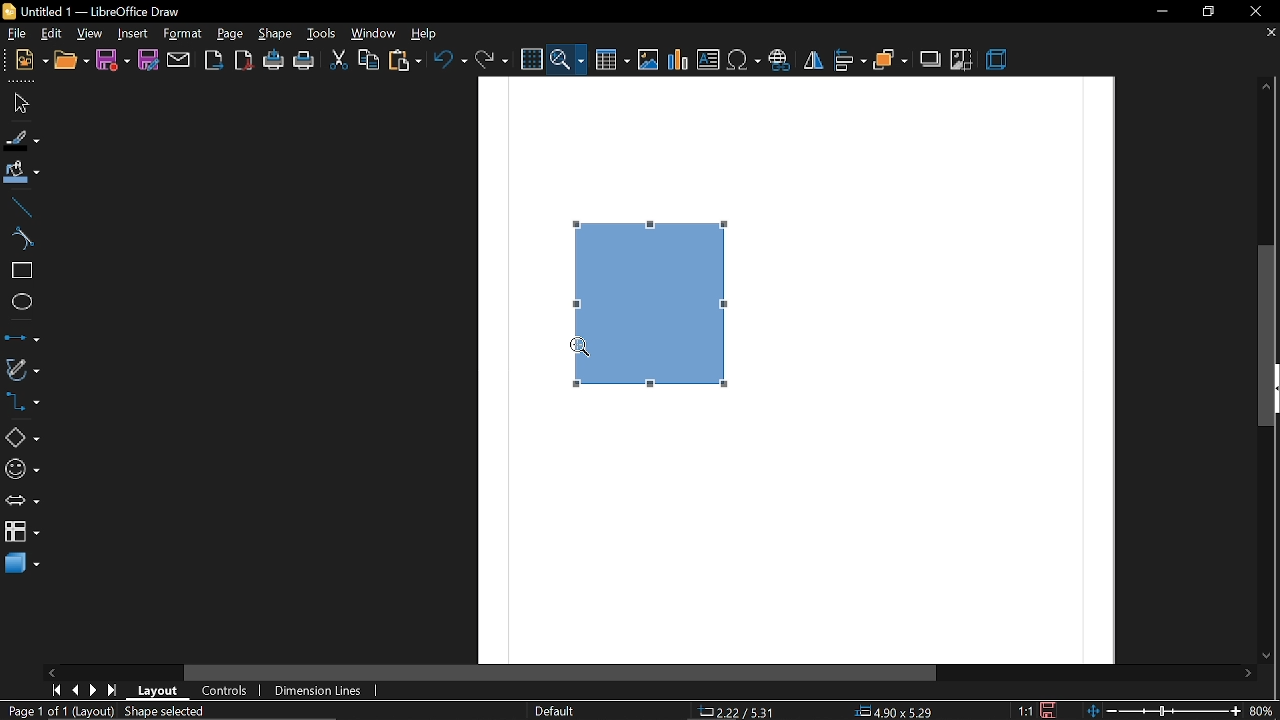  Describe the element at coordinates (931, 62) in the screenshot. I see `shadow` at that location.